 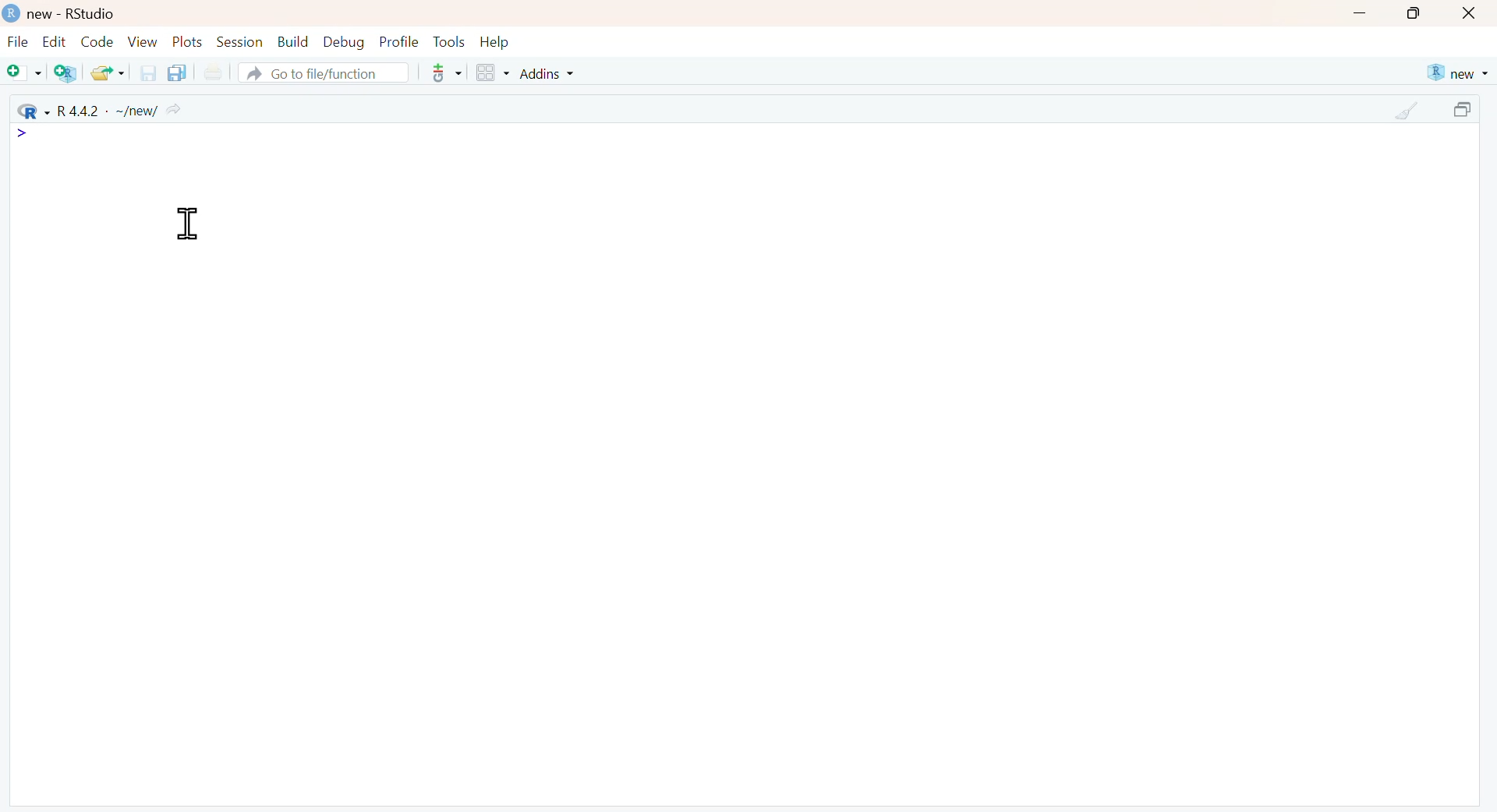 I want to click on maximize, so click(x=1417, y=13).